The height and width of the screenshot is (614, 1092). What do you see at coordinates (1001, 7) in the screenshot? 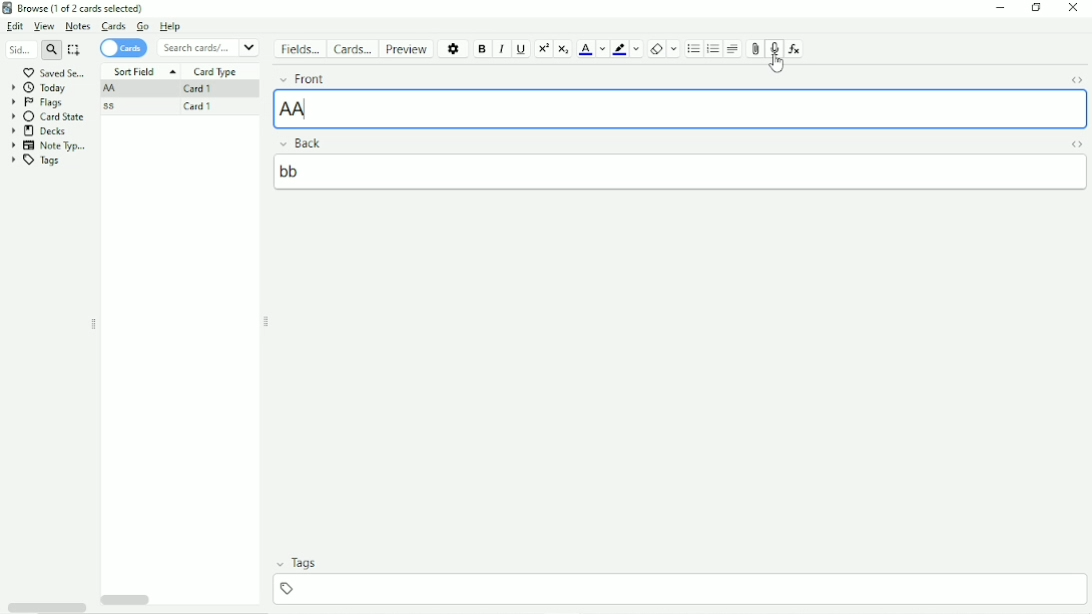
I see `Minimize` at bounding box center [1001, 7].